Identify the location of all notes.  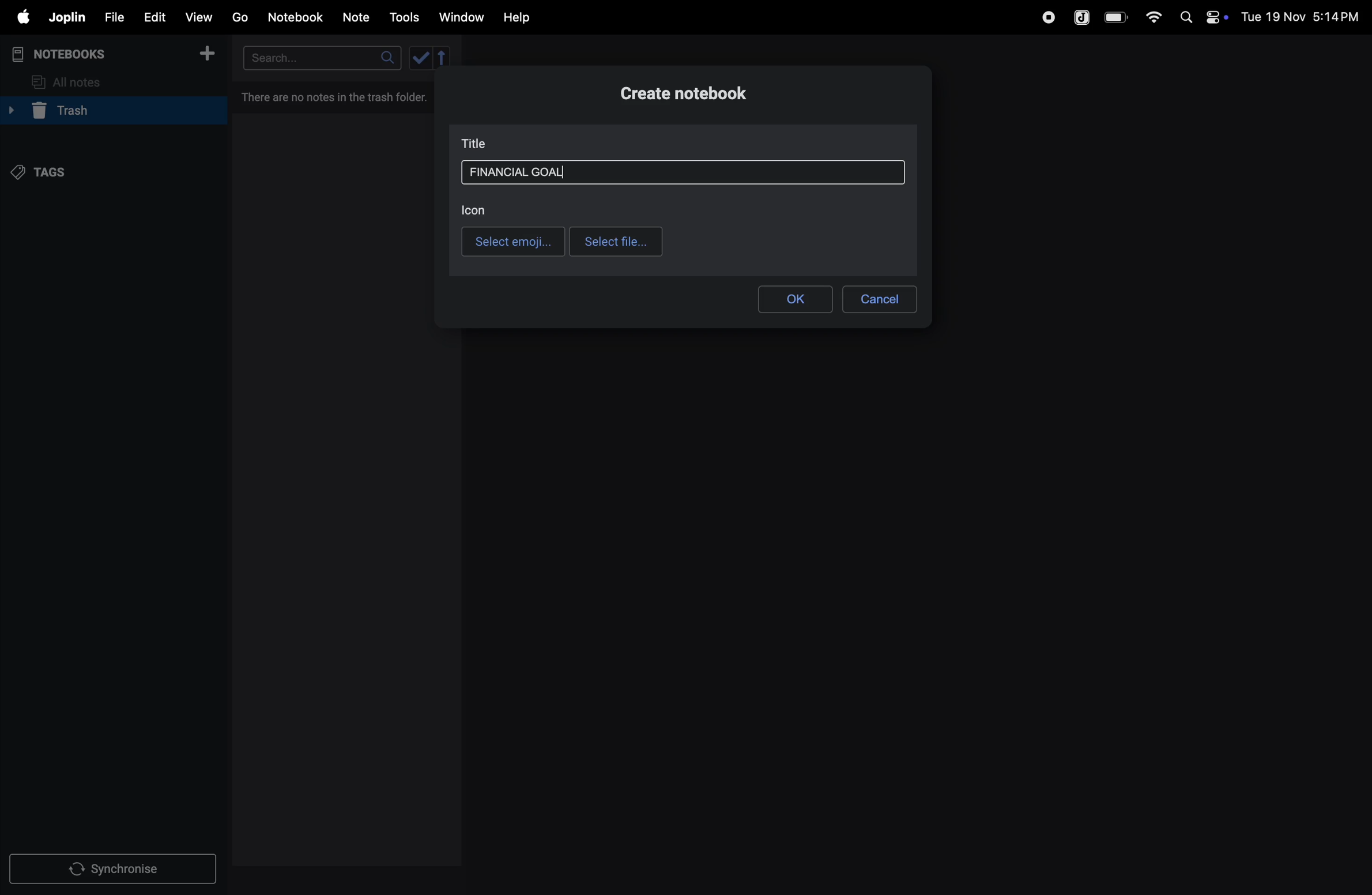
(69, 82).